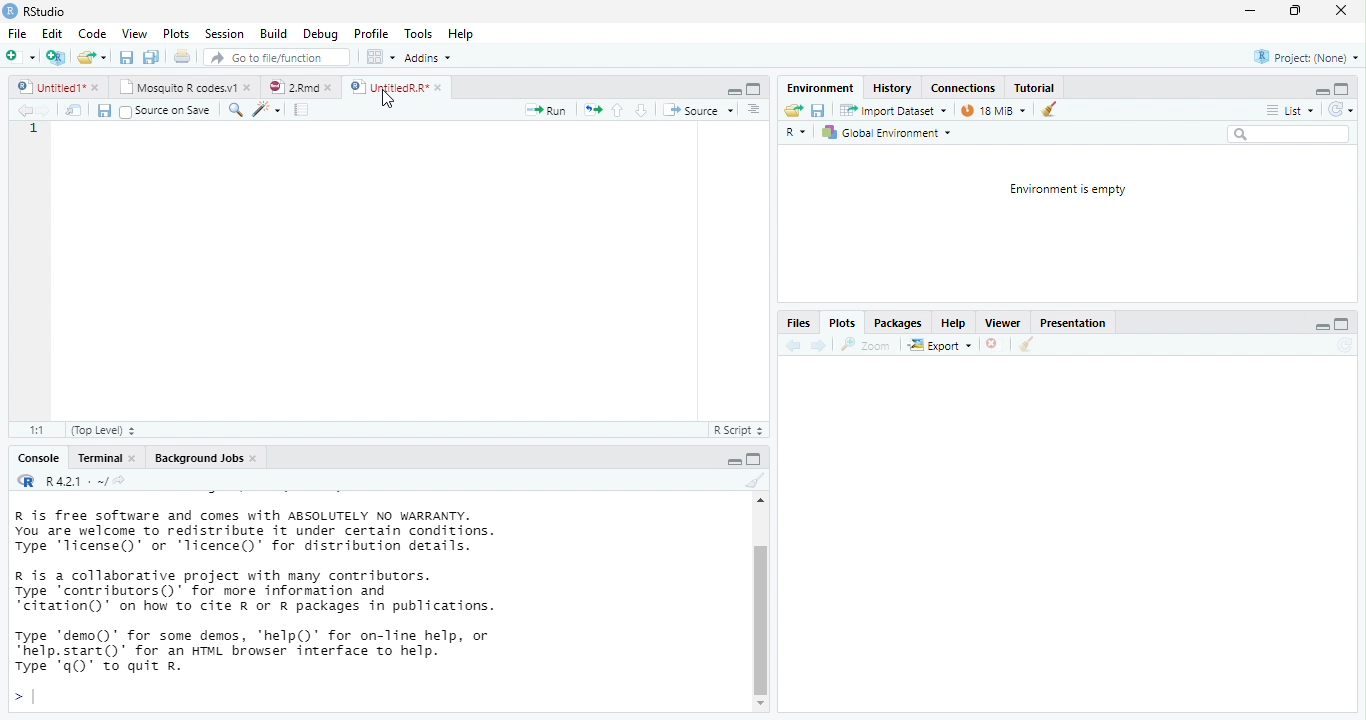 The image size is (1366, 720). Describe the element at coordinates (303, 109) in the screenshot. I see `compile report` at that location.